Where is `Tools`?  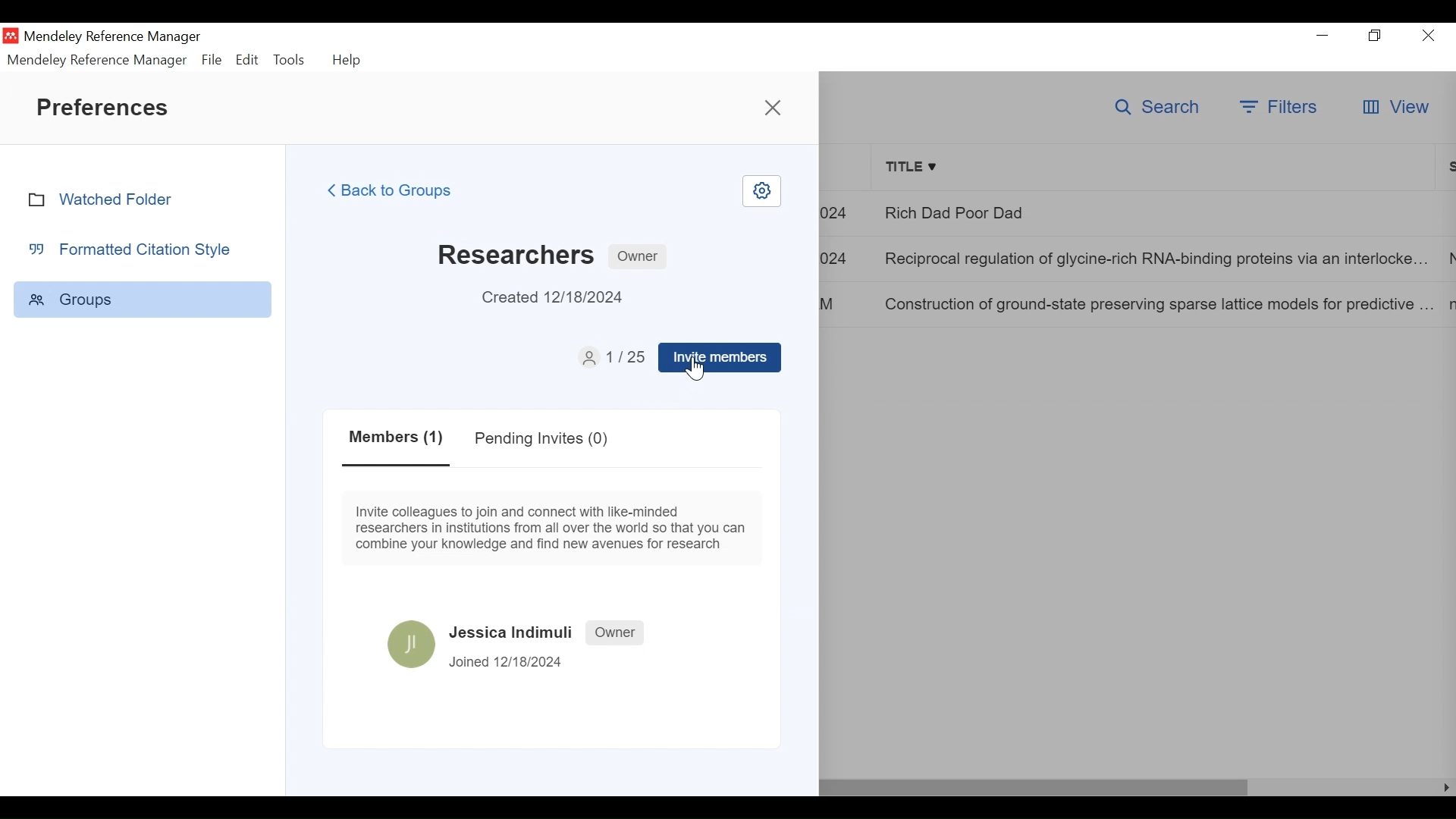 Tools is located at coordinates (290, 60).